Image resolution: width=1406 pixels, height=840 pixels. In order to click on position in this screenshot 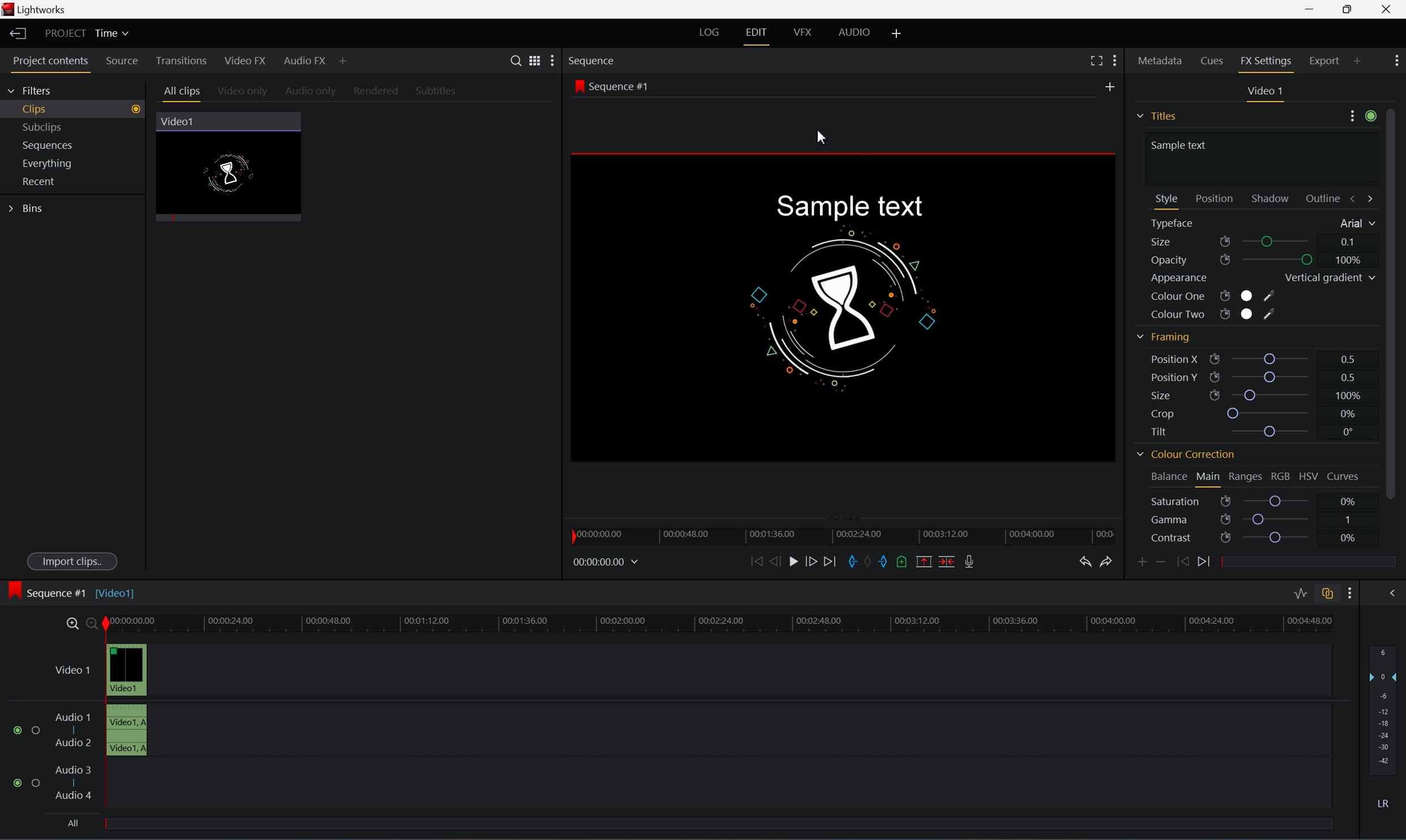, I will do `click(1215, 198)`.